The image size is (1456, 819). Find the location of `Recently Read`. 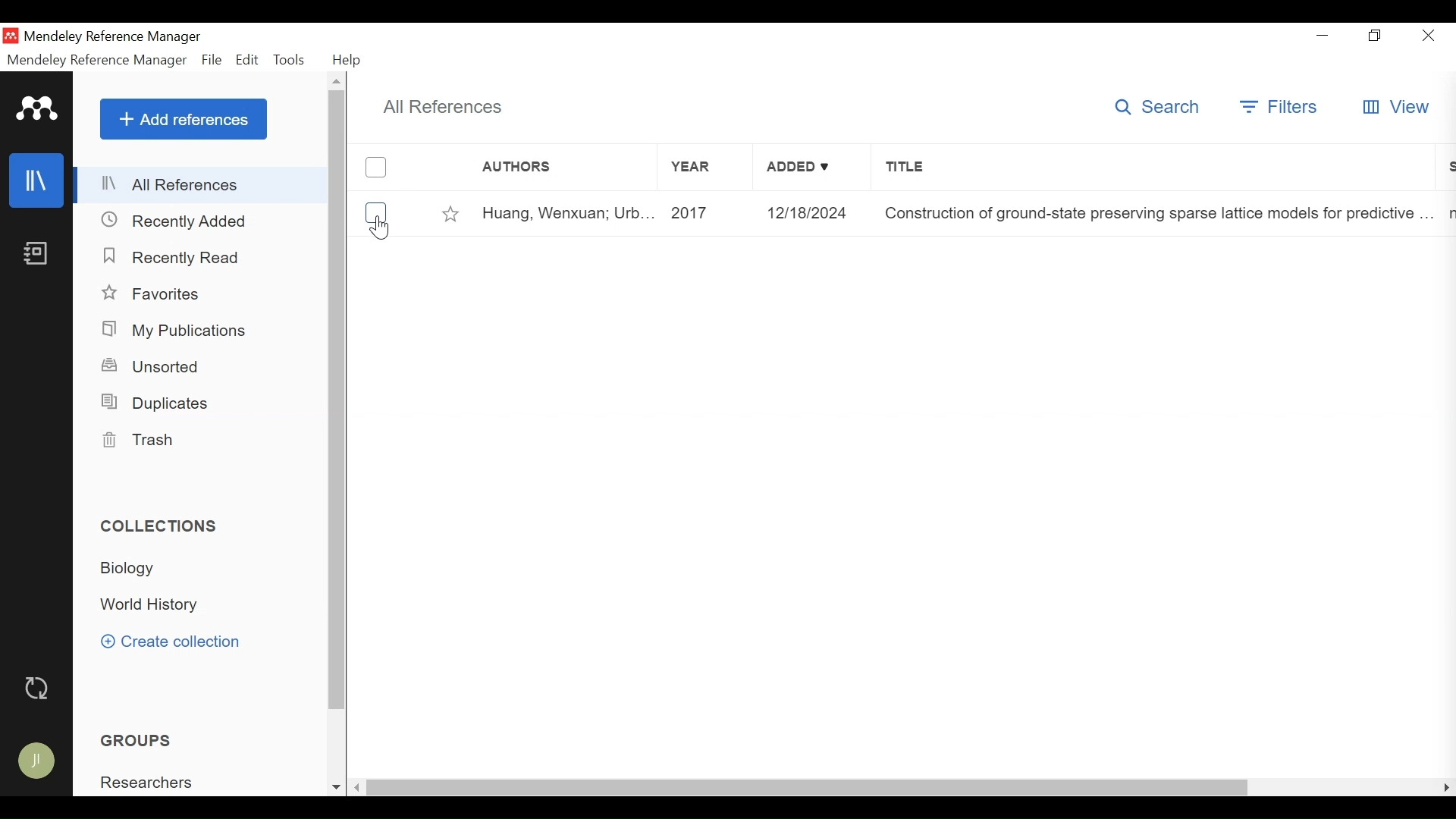

Recently Read is located at coordinates (171, 257).